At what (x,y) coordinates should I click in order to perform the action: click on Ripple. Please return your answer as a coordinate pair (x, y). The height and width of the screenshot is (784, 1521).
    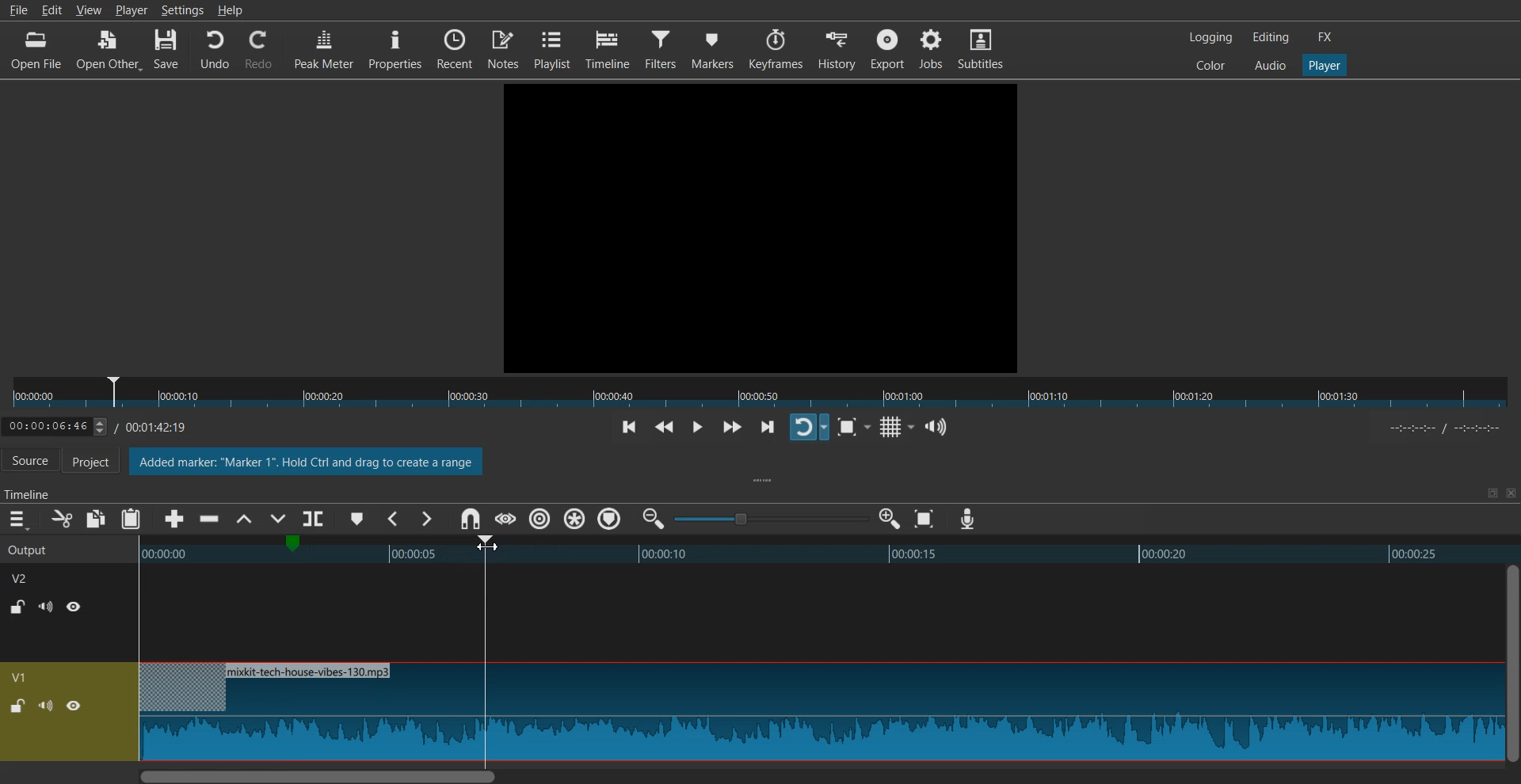
    Looking at the image, I should click on (540, 519).